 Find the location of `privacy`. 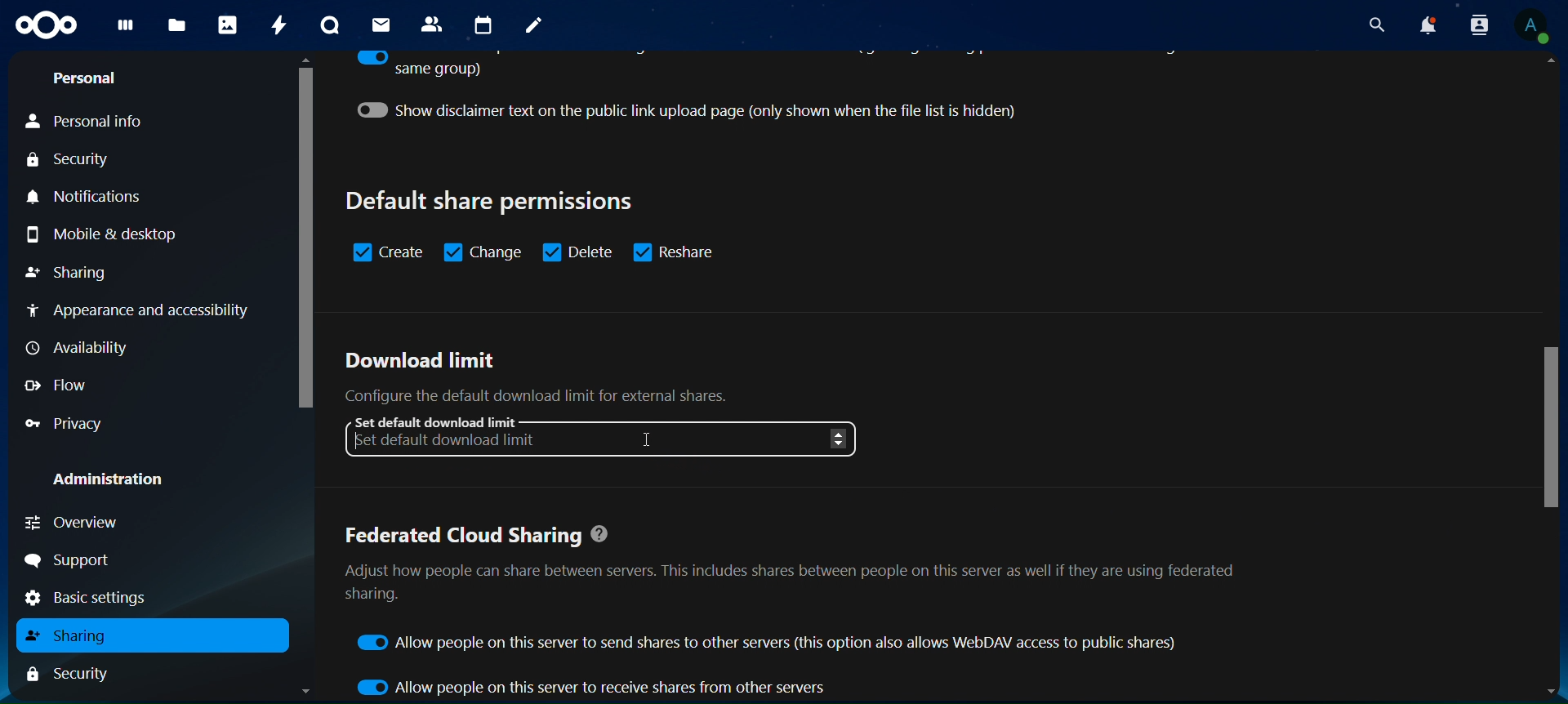

privacy is located at coordinates (69, 421).